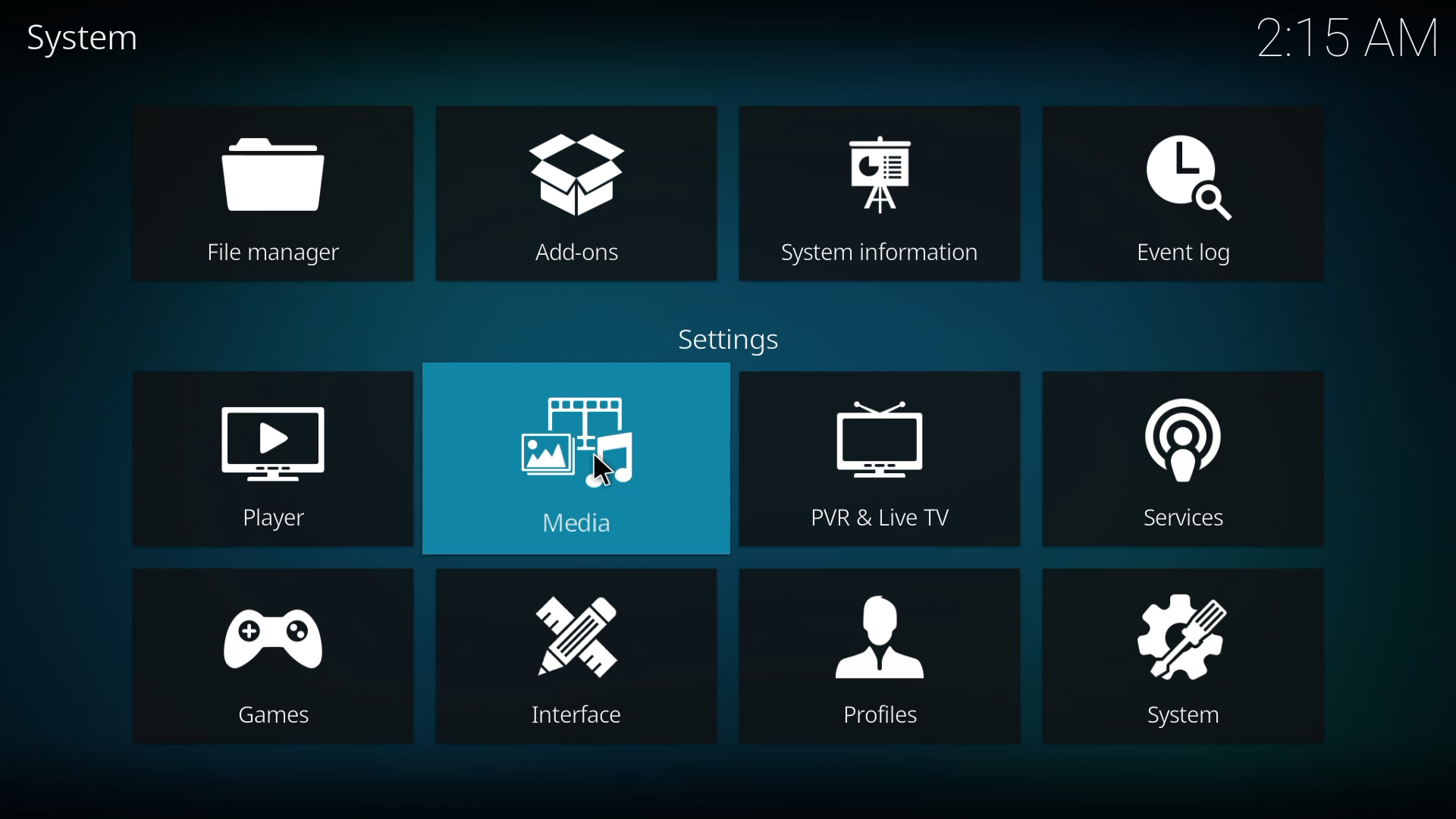  What do you see at coordinates (271, 660) in the screenshot?
I see `games` at bounding box center [271, 660].